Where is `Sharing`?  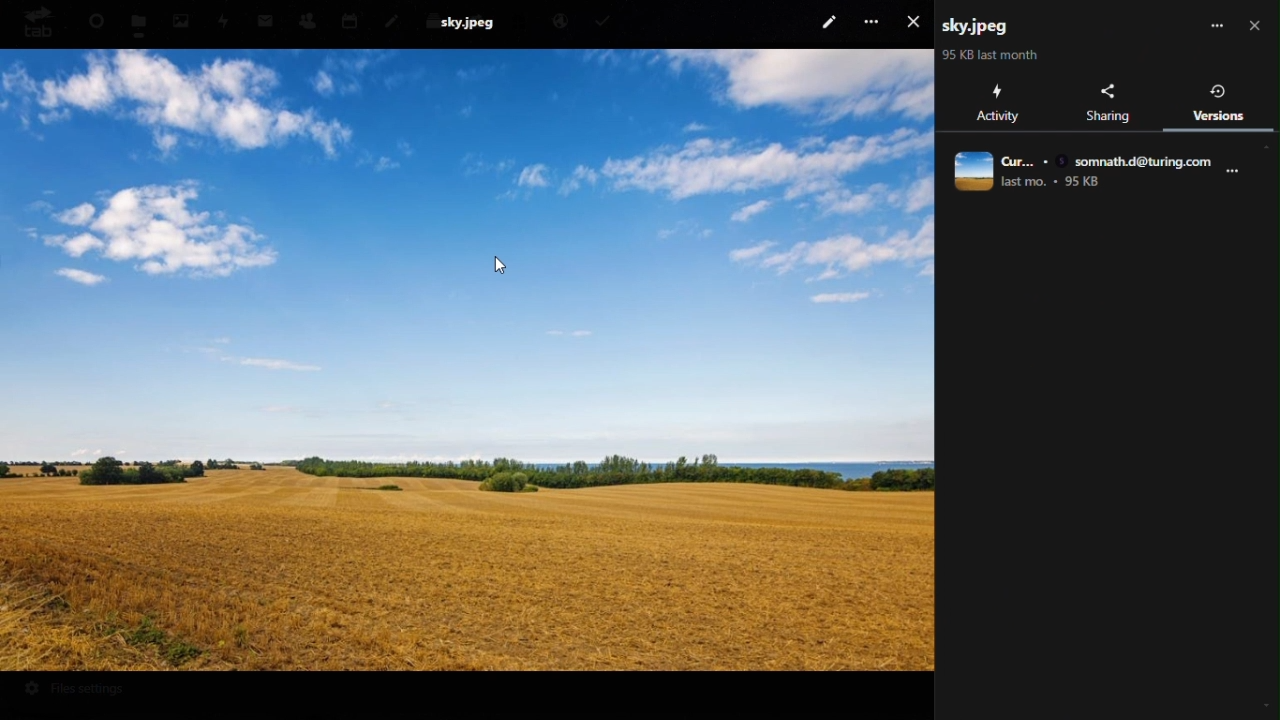 Sharing is located at coordinates (1109, 103).